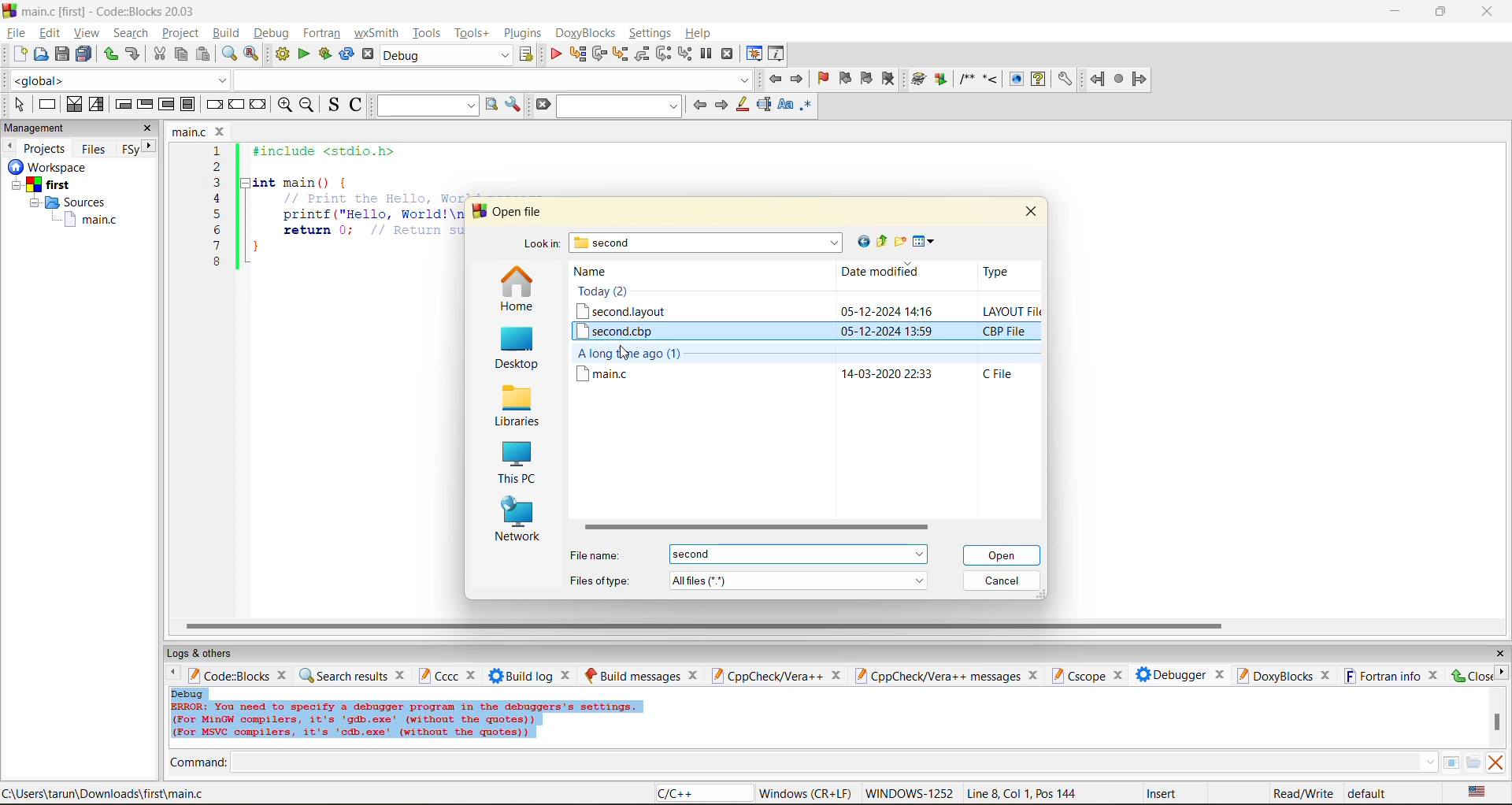 The width and height of the screenshot is (1512, 805). Describe the element at coordinates (598, 272) in the screenshot. I see `name` at that location.